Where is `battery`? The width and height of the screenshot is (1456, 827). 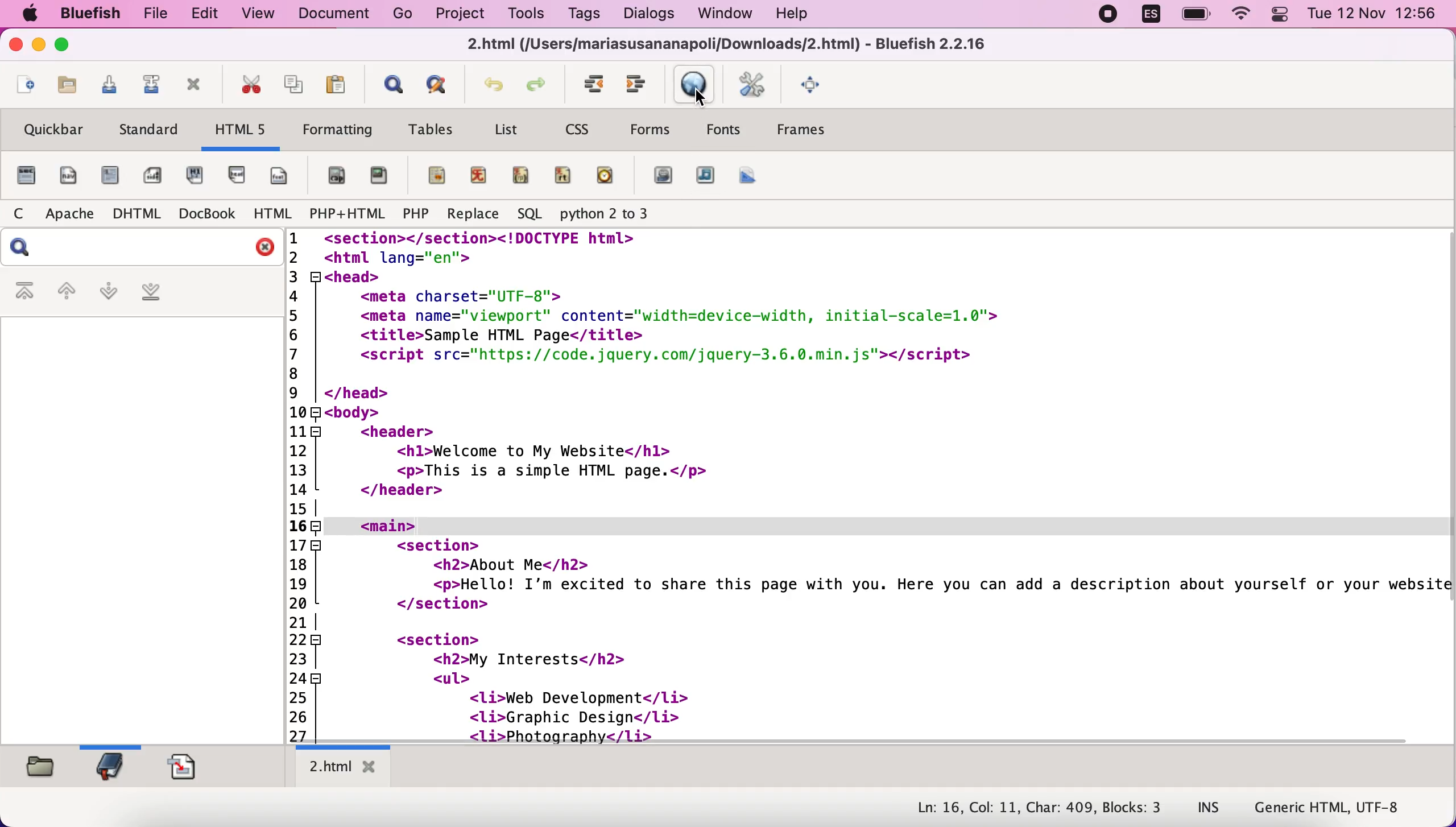
battery is located at coordinates (1195, 14).